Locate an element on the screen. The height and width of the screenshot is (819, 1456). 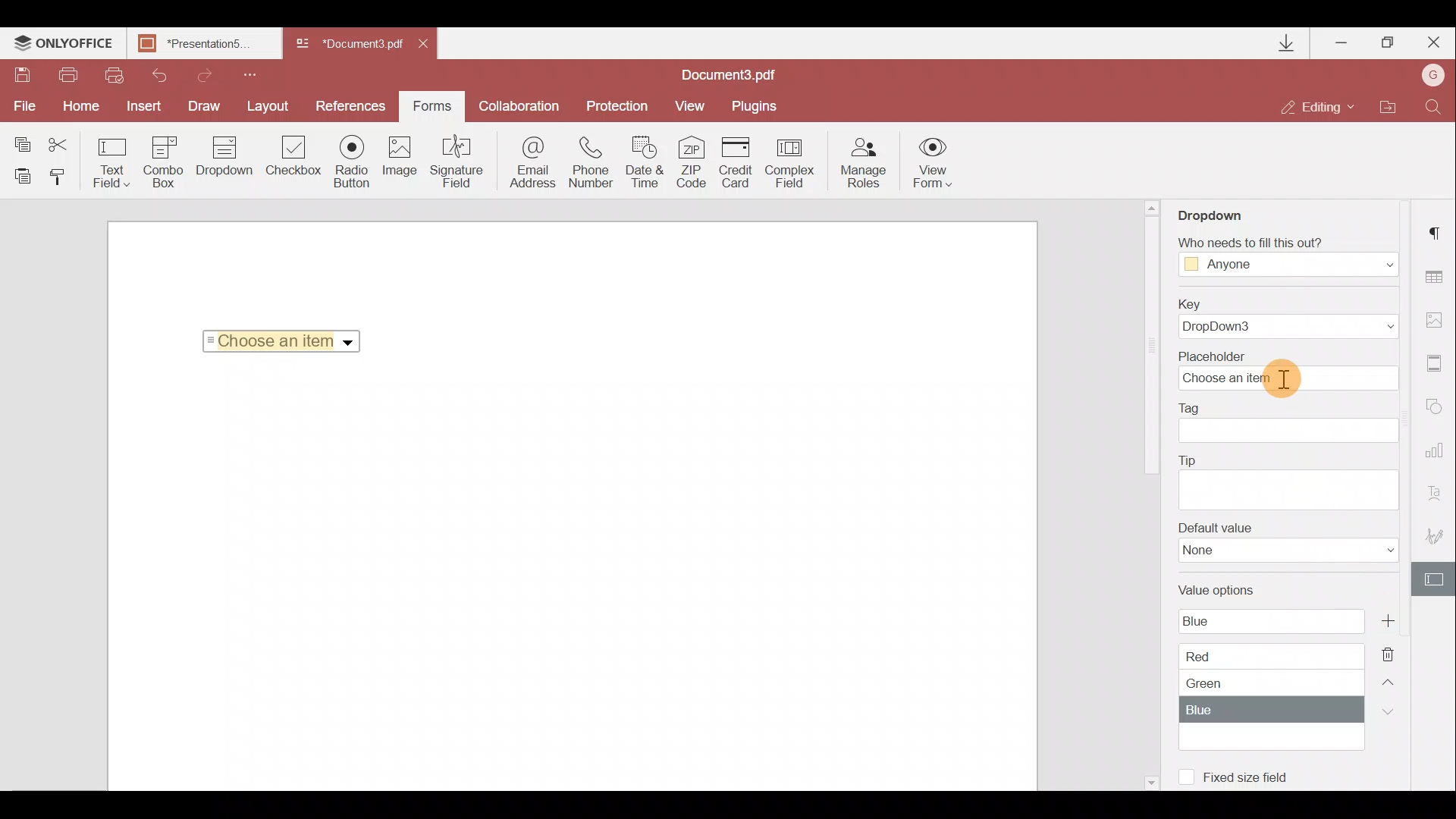
Scroll down is located at coordinates (1150, 780).